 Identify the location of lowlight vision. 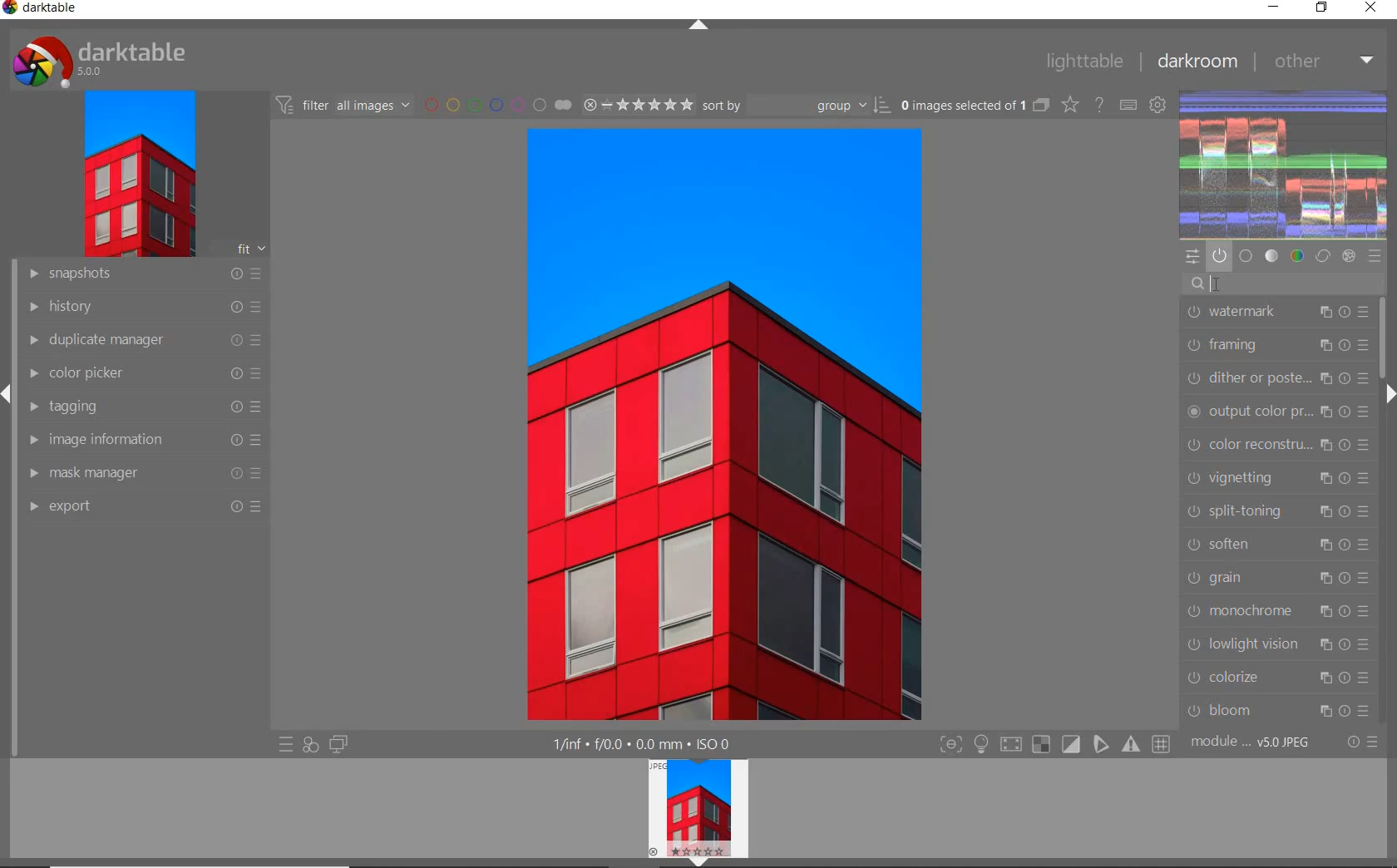
(1279, 644).